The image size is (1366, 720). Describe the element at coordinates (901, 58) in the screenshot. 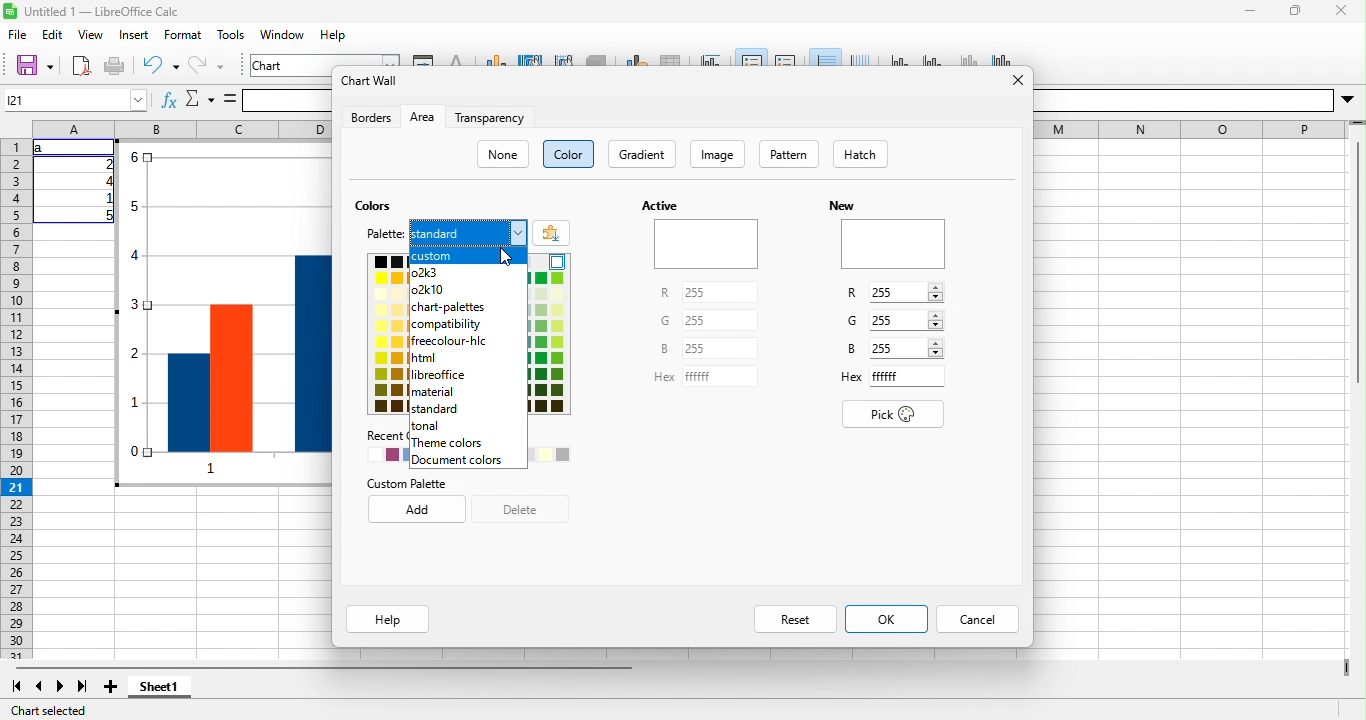

I see `x axis` at that location.